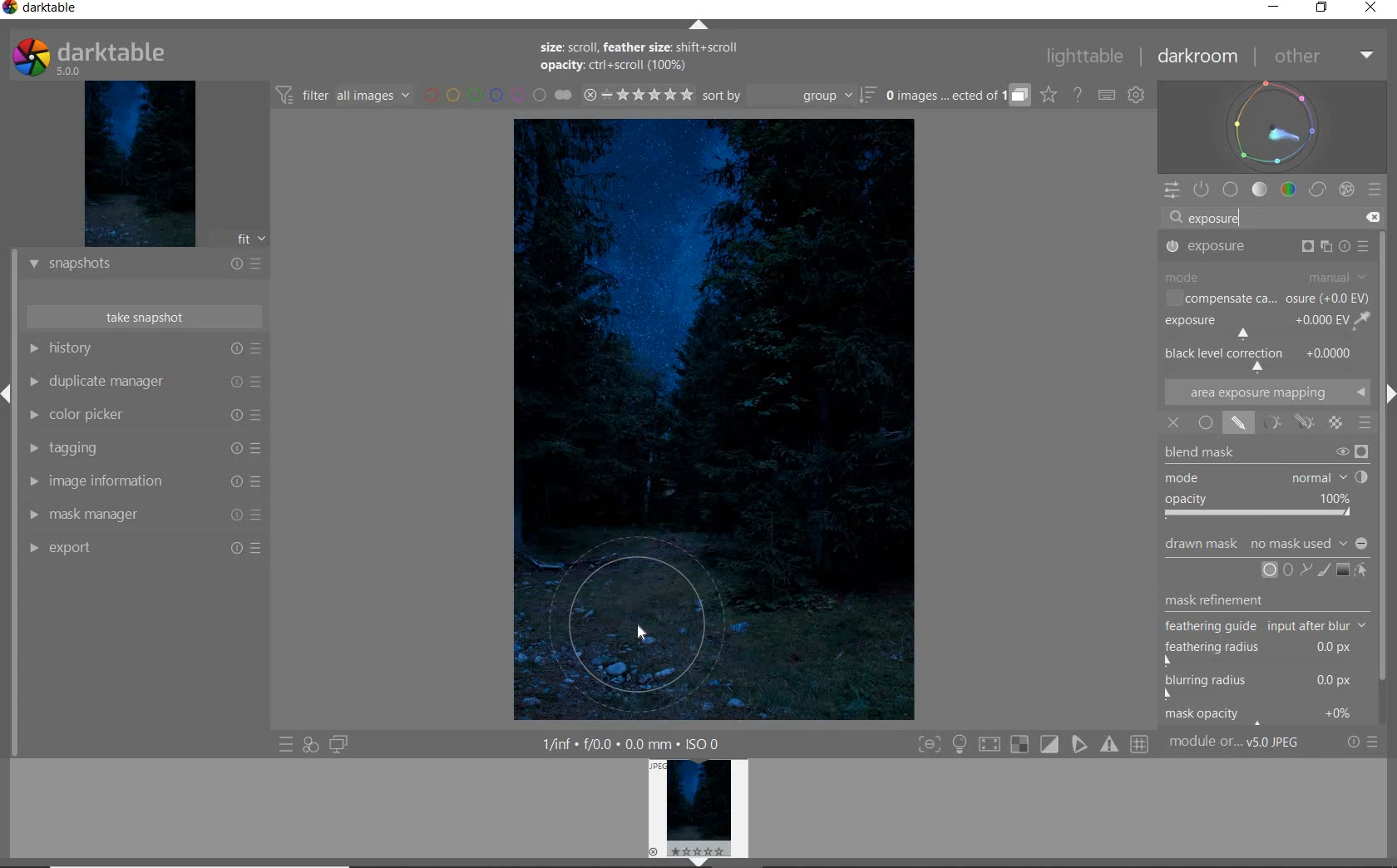 This screenshot has height=868, width=1397. Describe the element at coordinates (1271, 126) in the screenshot. I see `WAVEFORM` at that location.